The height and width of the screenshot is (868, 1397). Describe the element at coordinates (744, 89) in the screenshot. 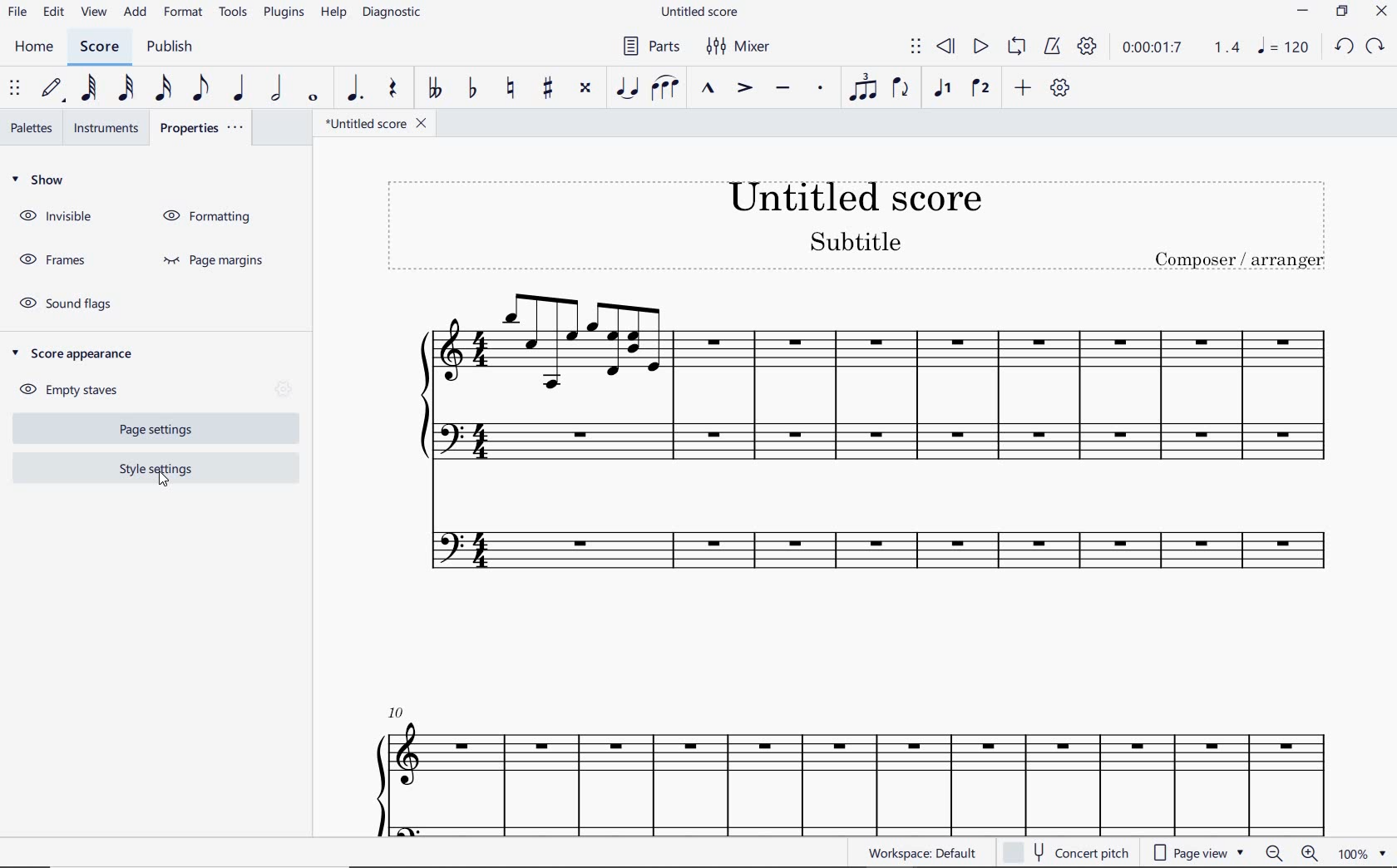

I see `ACCENT` at that location.